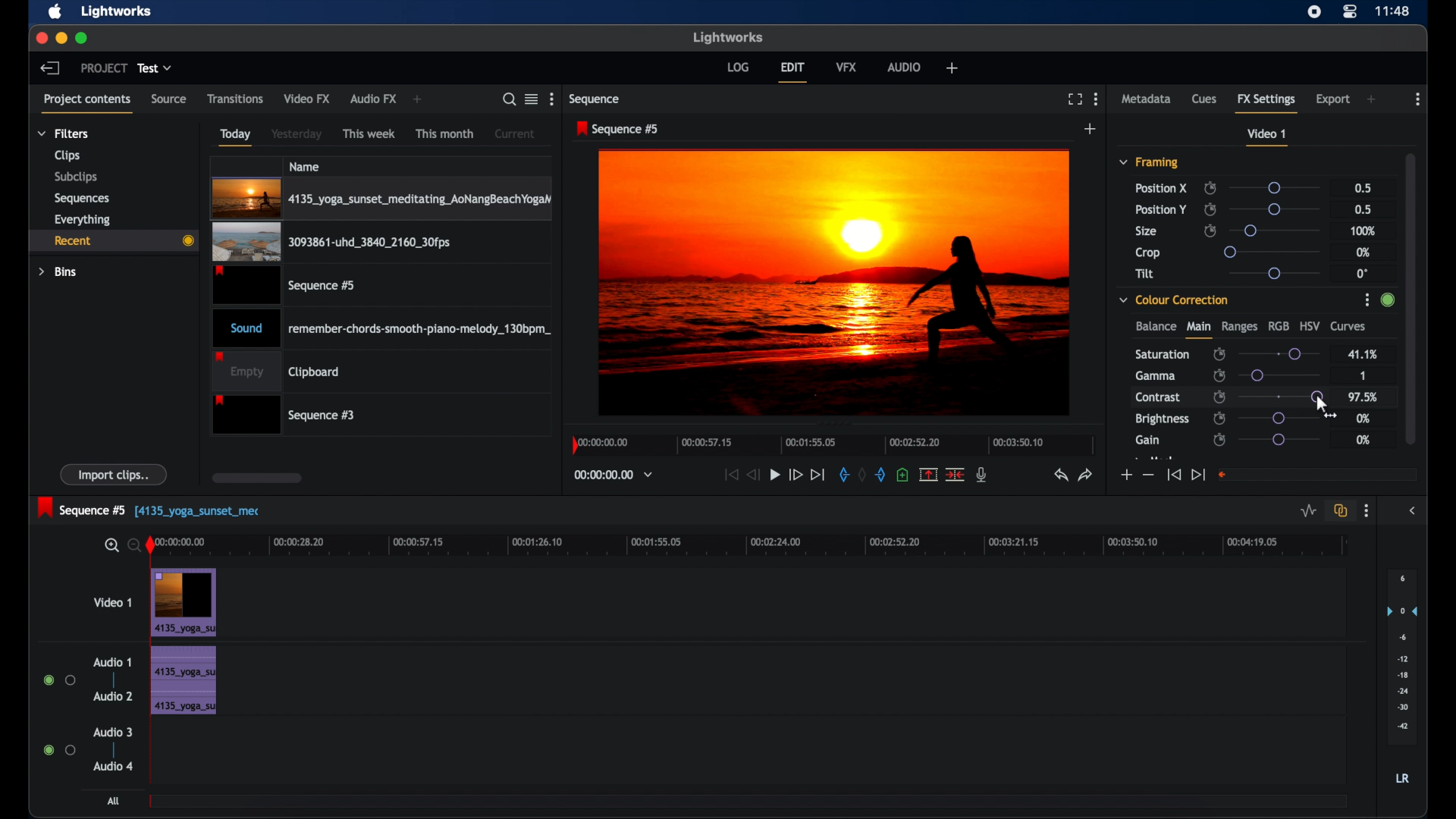 Image resolution: width=1456 pixels, height=819 pixels. I want to click on radio buttons, so click(60, 680).